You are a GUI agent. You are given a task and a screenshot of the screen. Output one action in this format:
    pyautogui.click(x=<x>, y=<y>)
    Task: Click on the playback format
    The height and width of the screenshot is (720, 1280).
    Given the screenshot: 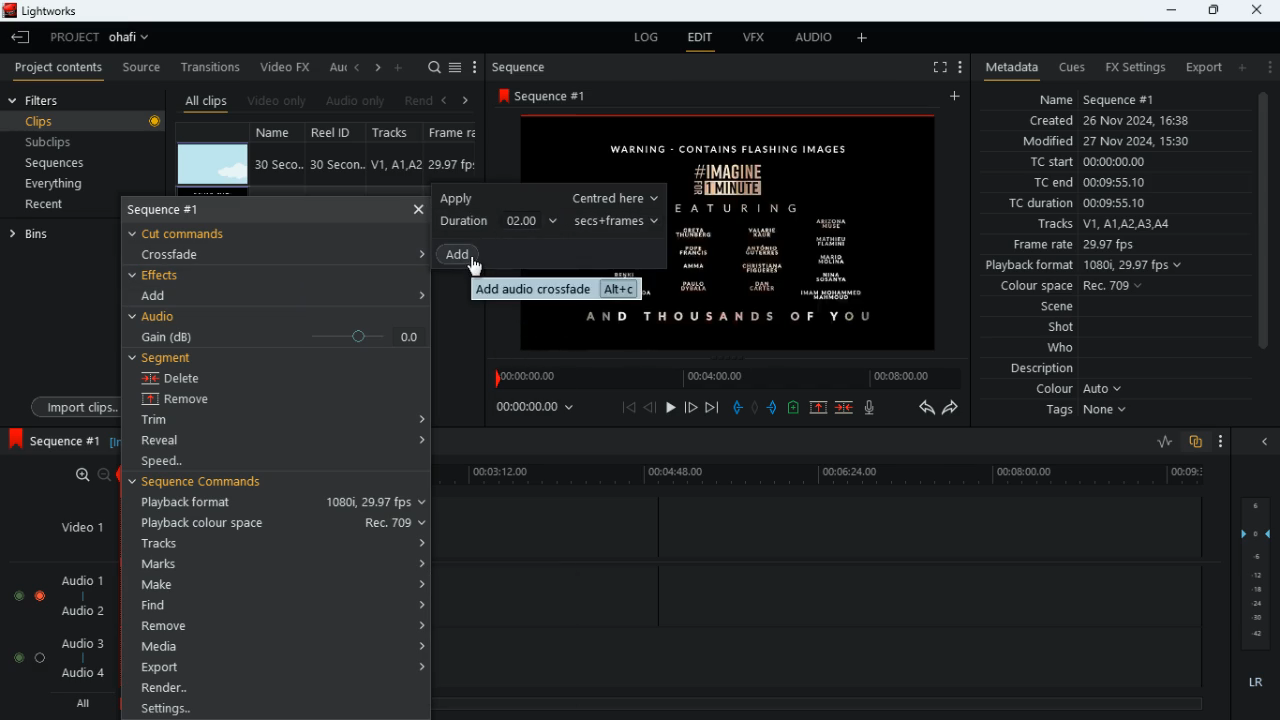 What is the action you would take?
    pyautogui.click(x=278, y=504)
    